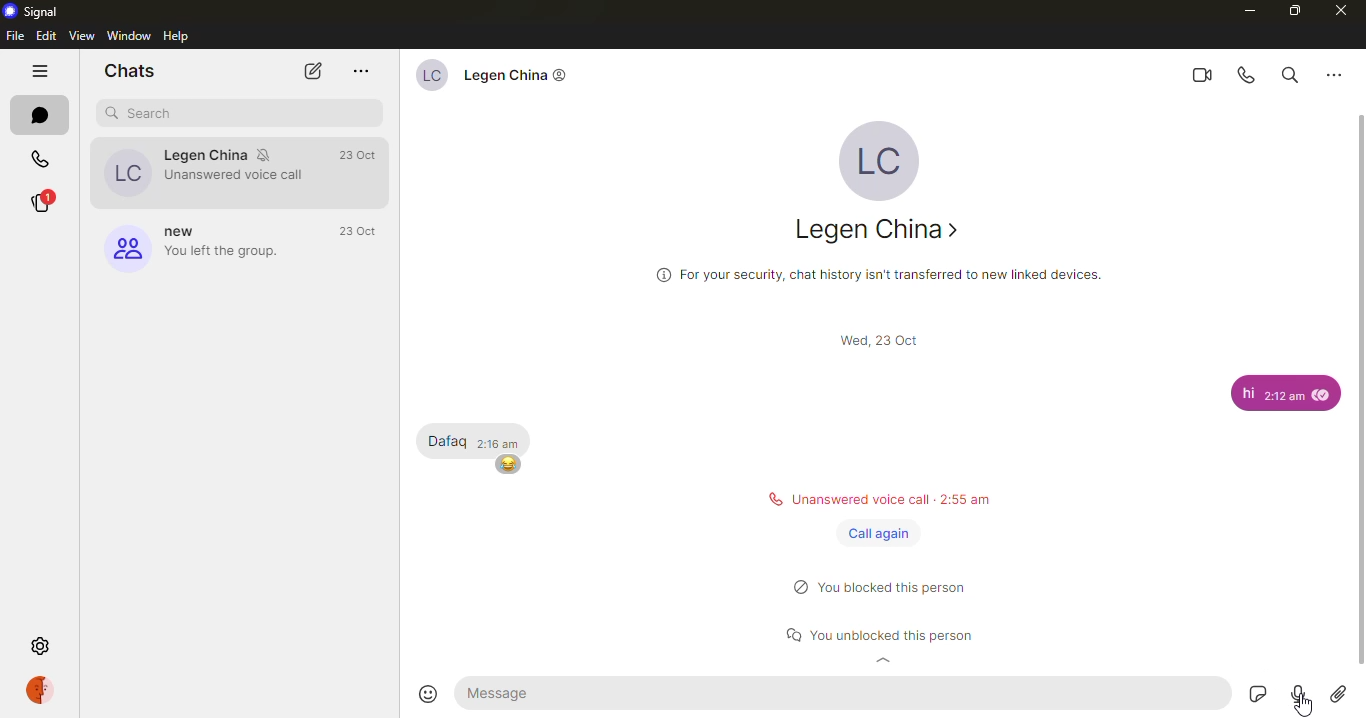 This screenshot has height=718, width=1366. Describe the element at coordinates (1340, 11) in the screenshot. I see `close` at that location.